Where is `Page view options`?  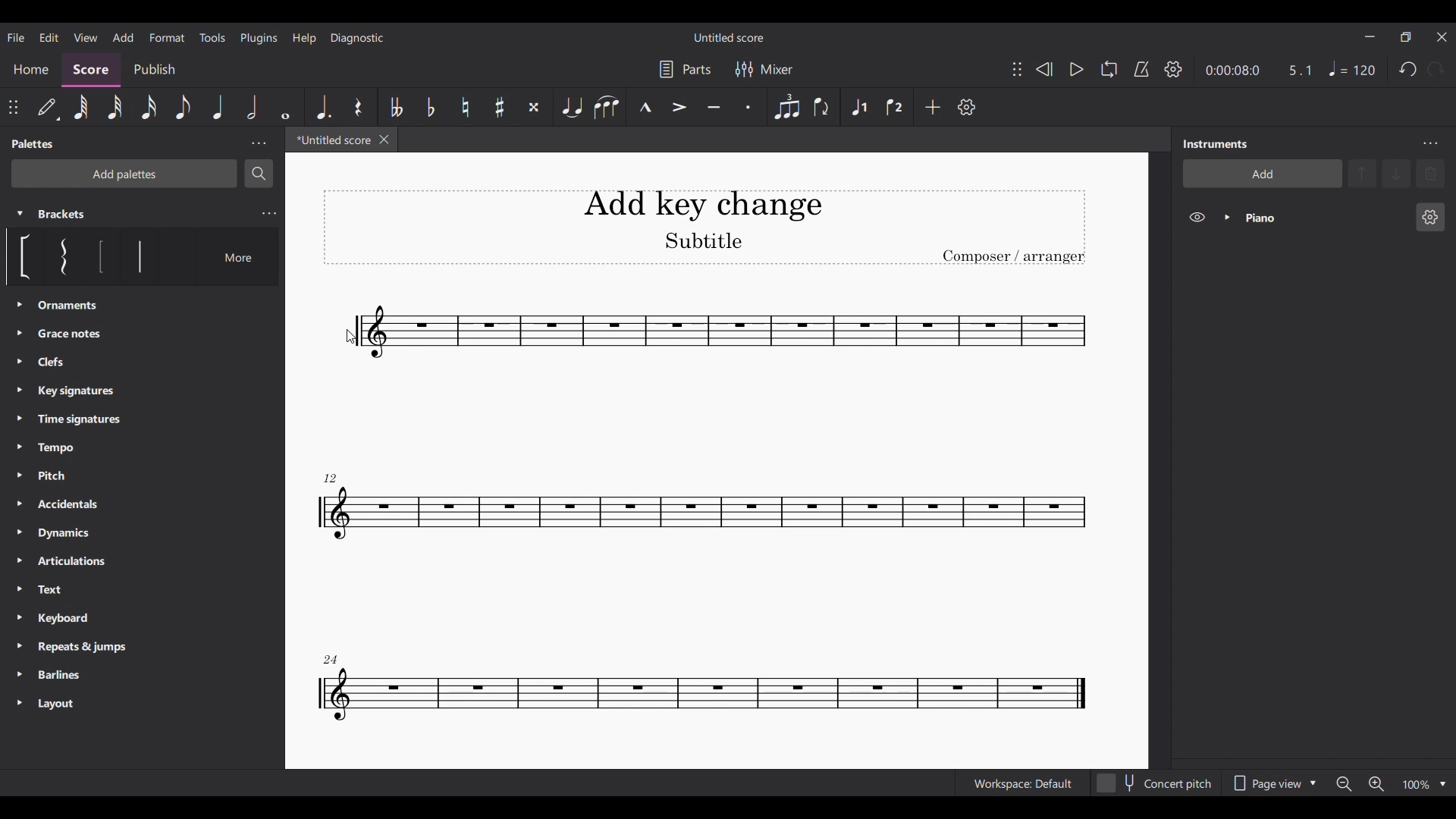
Page view options is located at coordinates (1274, 783).